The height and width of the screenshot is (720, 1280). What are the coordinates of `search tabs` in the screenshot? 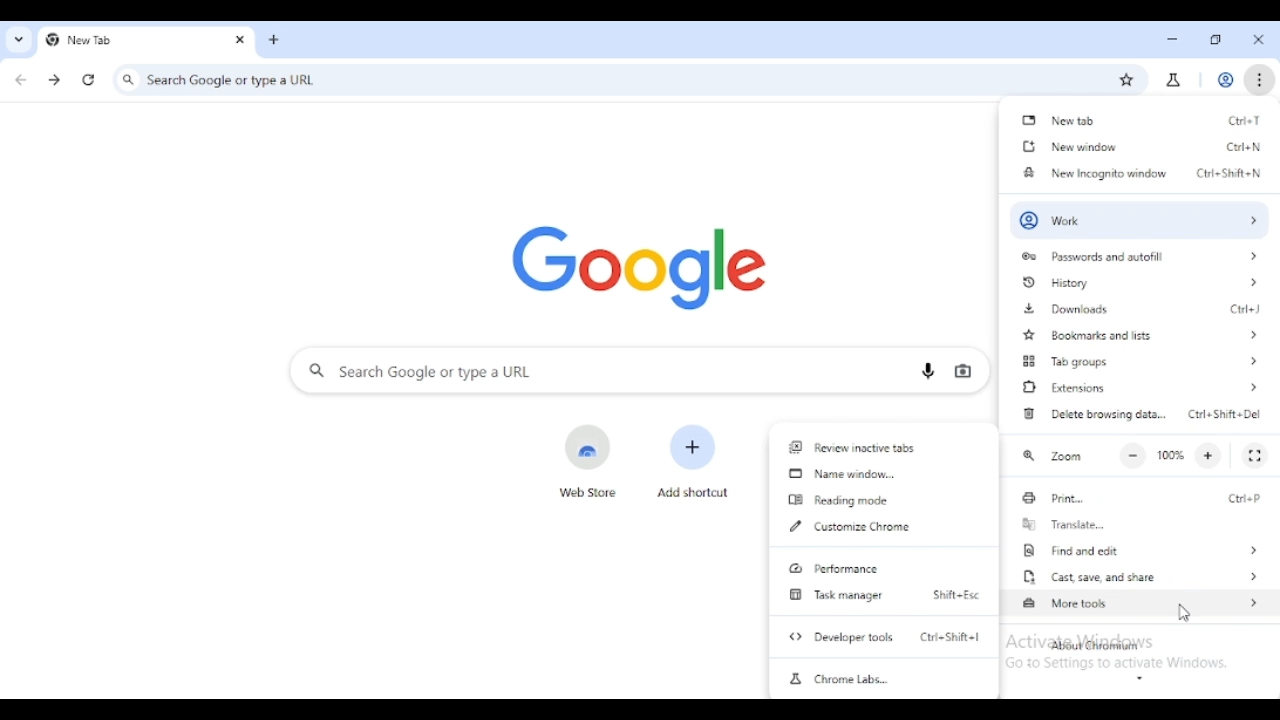 It's located at (18, 40).